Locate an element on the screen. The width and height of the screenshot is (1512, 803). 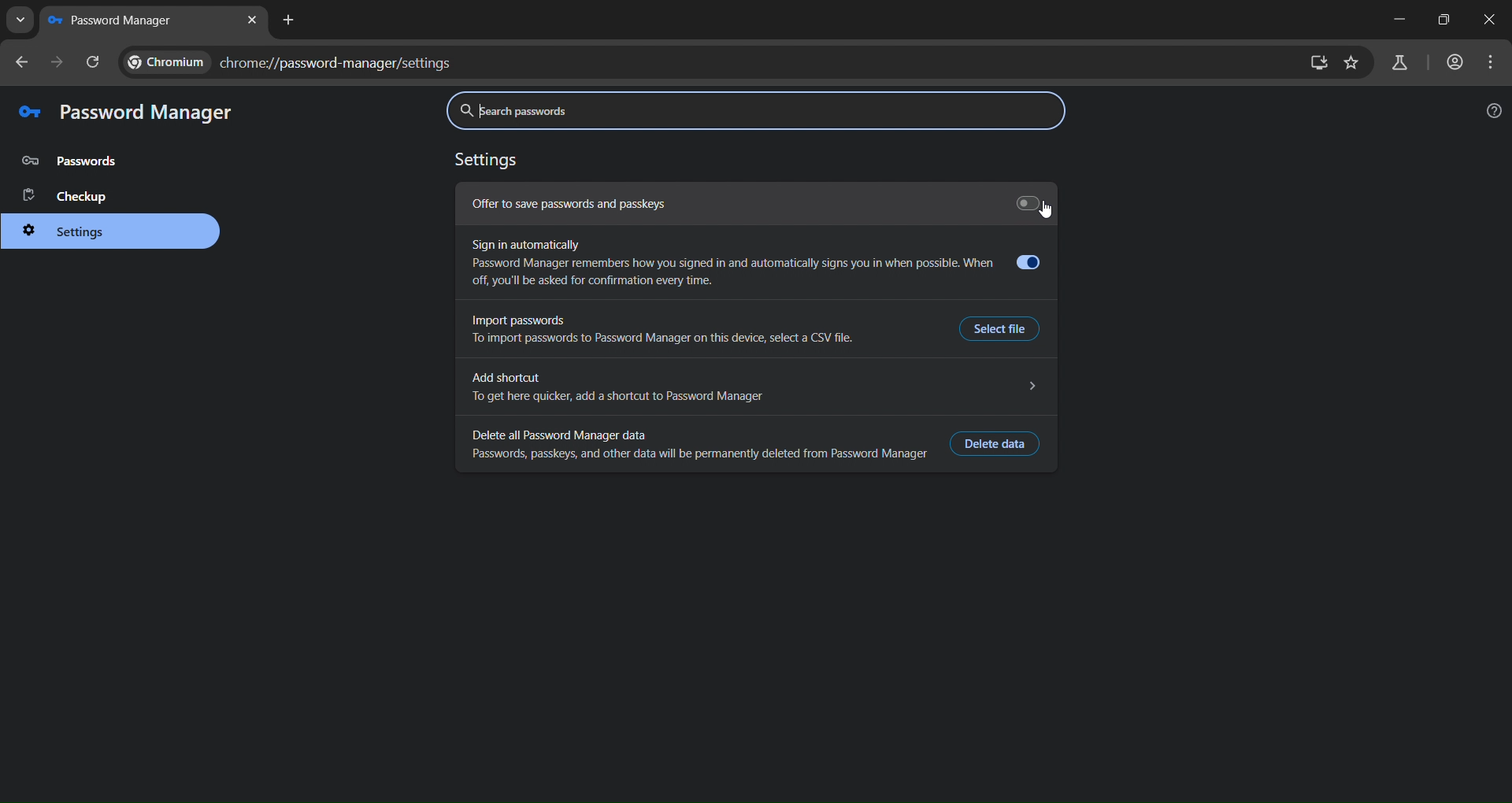
minimize is located at coordinates (1394, 20).